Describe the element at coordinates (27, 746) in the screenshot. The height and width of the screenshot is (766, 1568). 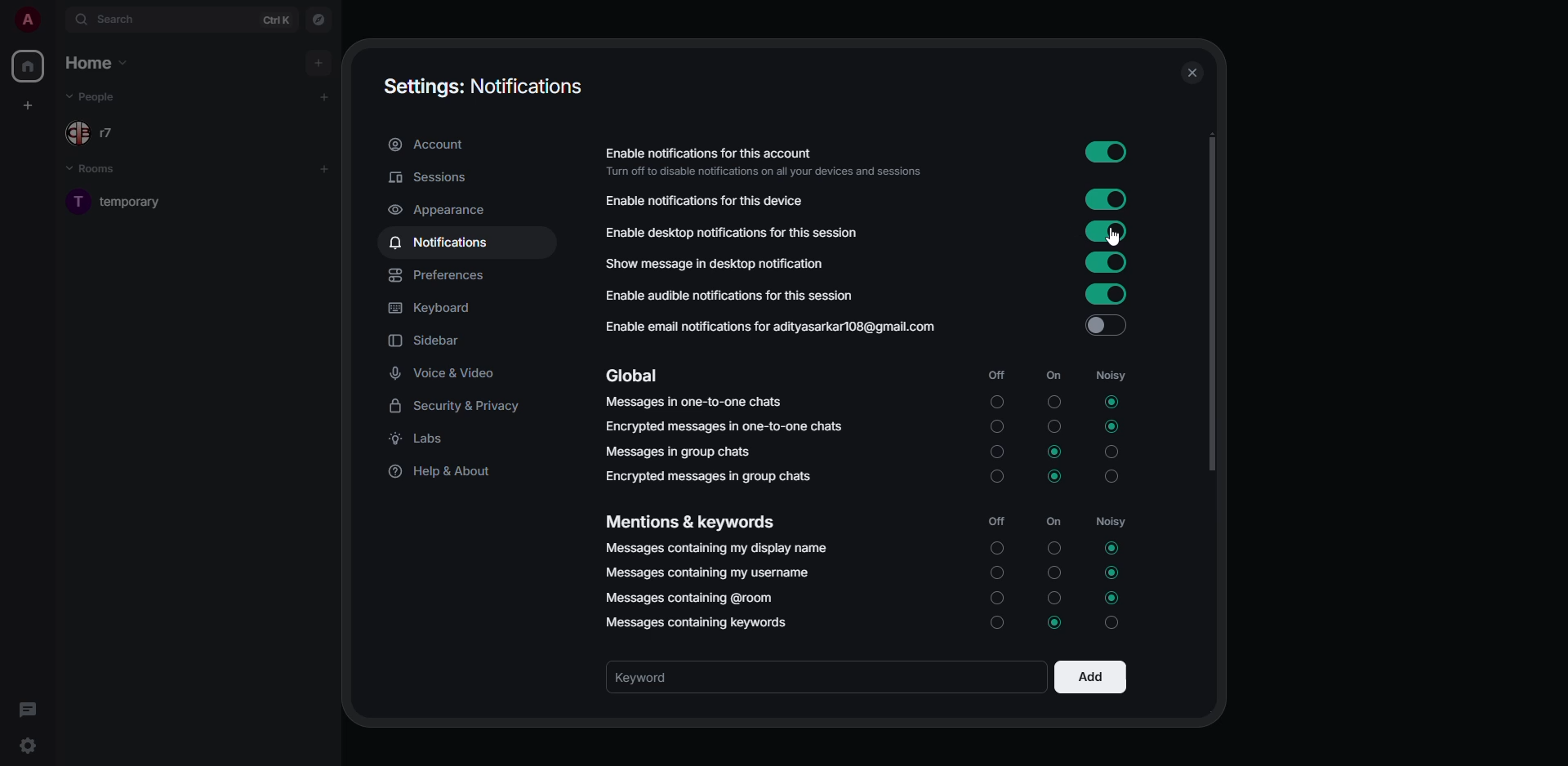
I see `quick settings` at that location.